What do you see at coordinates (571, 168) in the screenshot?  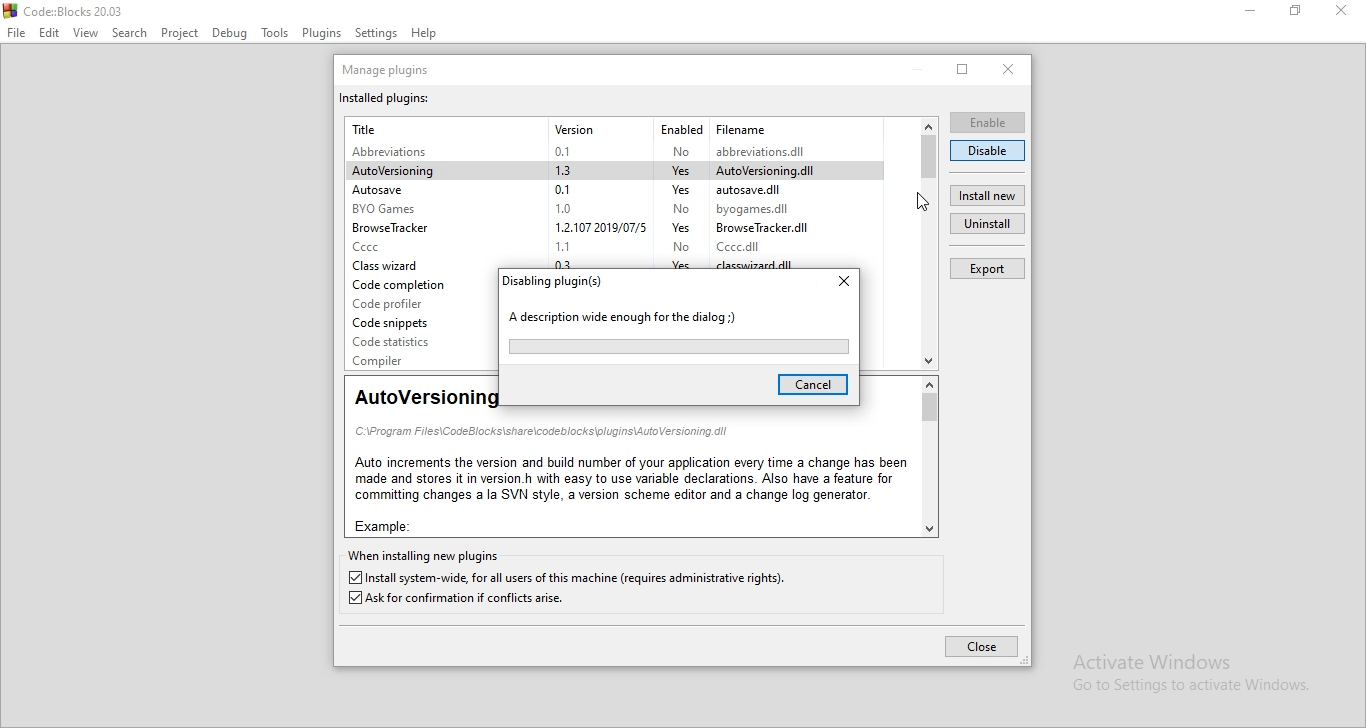 I see `1.3` at bounding box center [571, 168].